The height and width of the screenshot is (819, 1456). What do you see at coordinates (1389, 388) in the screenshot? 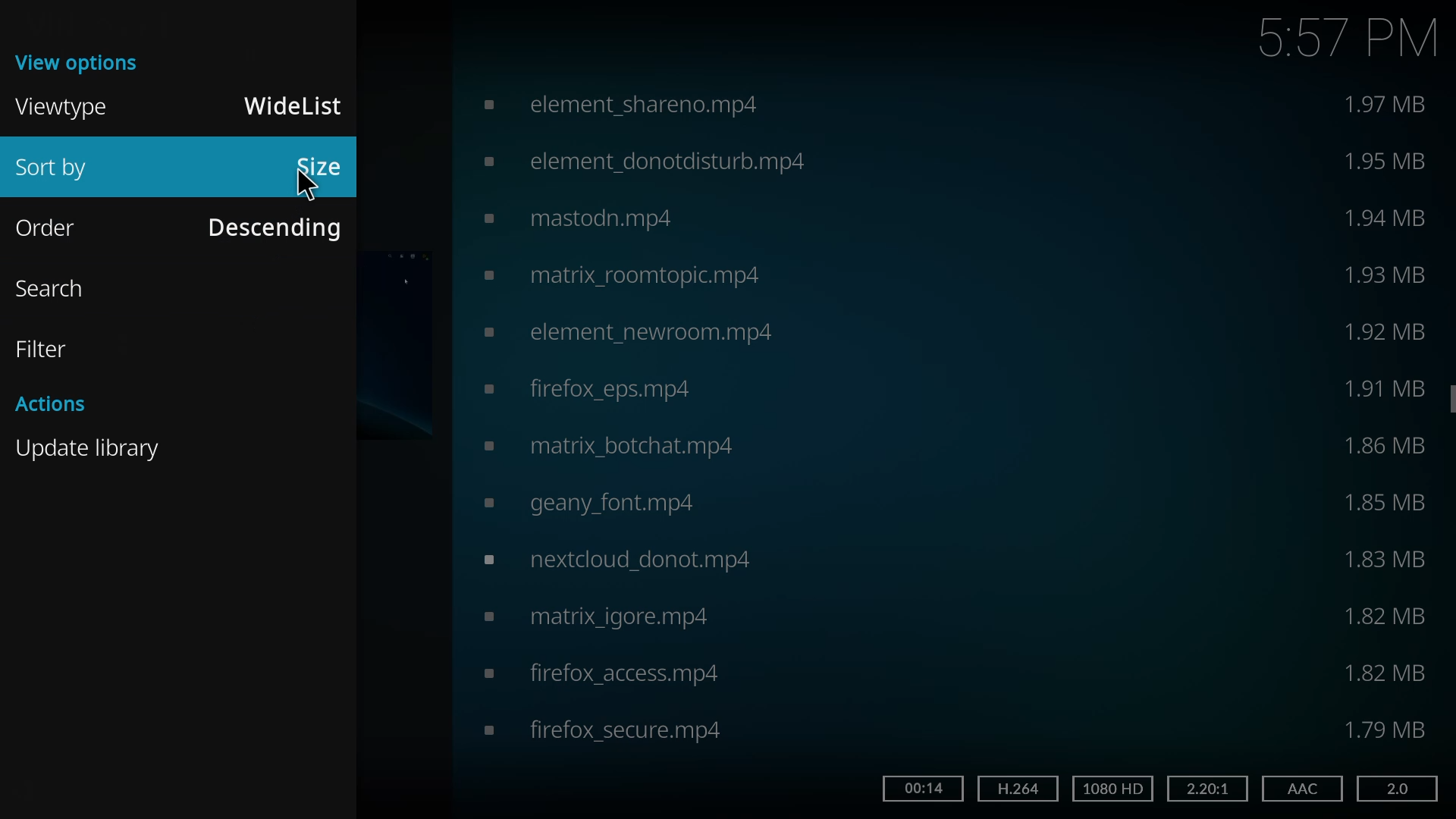
I see `size` at bounding box center [1389, 388].